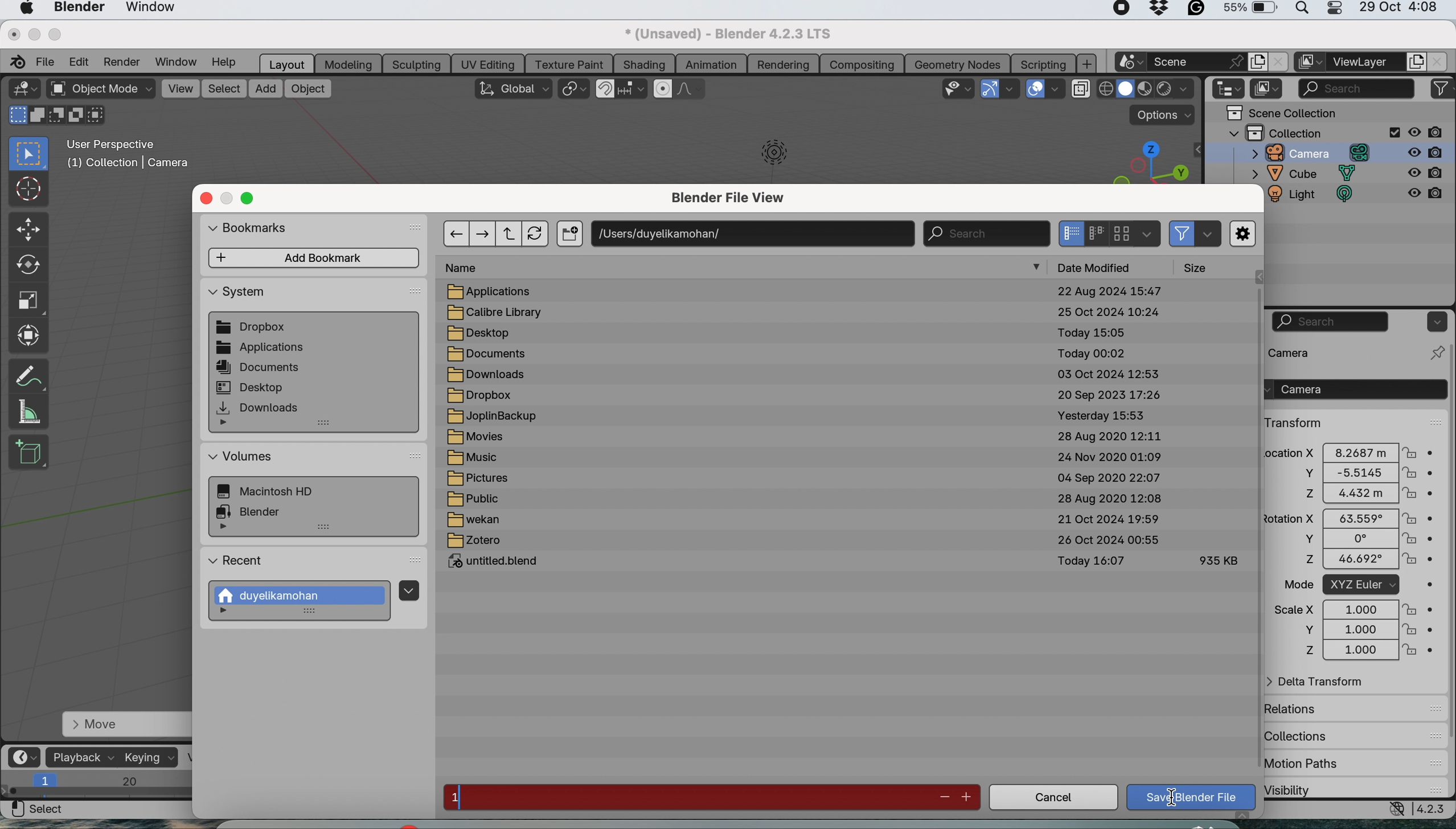 This screenshot has width=1456, height=829. Describe the element at coordinates (1196, 61) in the screenshot. I see `scene` at that location.